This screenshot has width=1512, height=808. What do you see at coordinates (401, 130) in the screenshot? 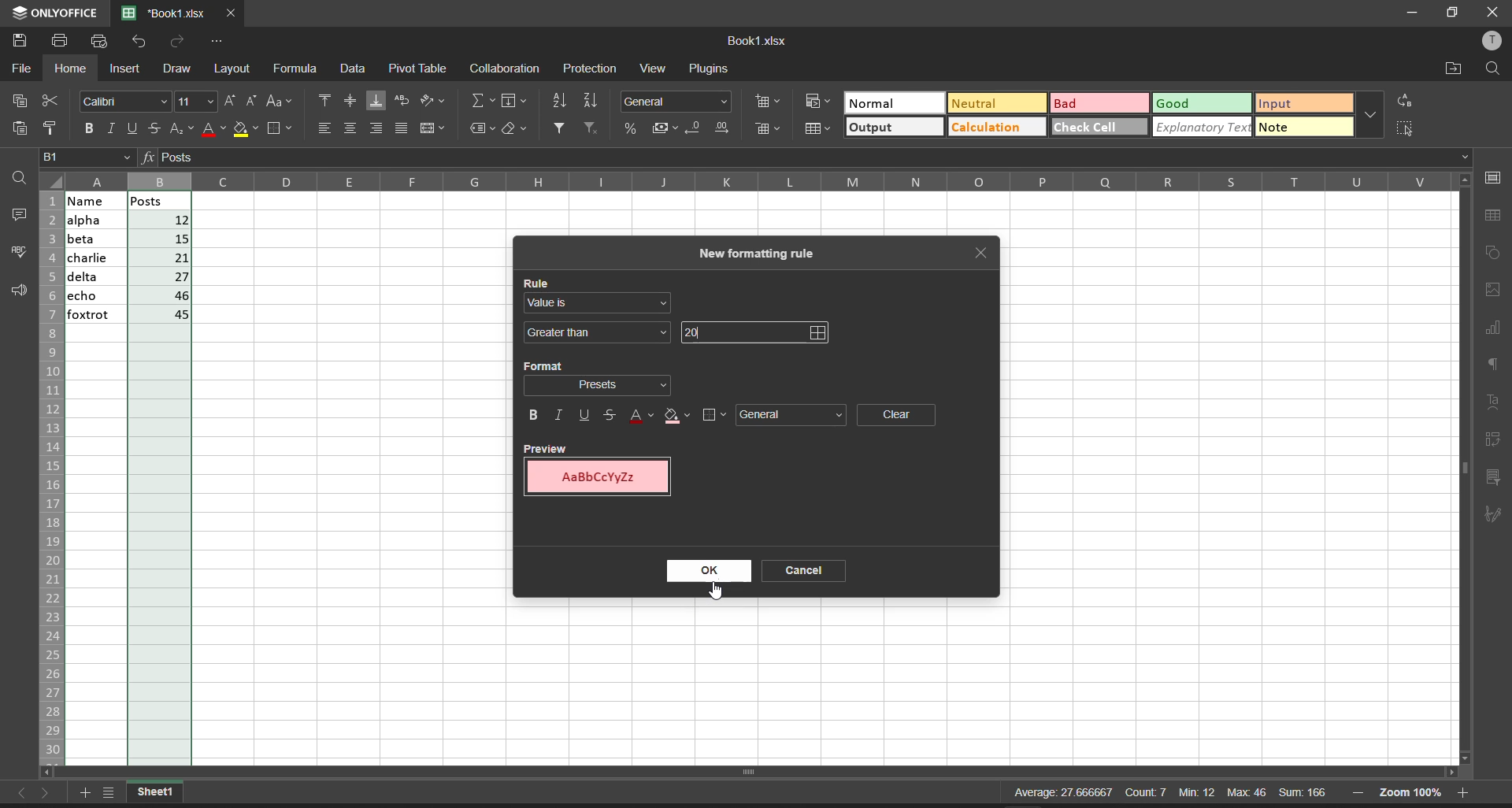
I see `justified` at bounding box center [401, 130].